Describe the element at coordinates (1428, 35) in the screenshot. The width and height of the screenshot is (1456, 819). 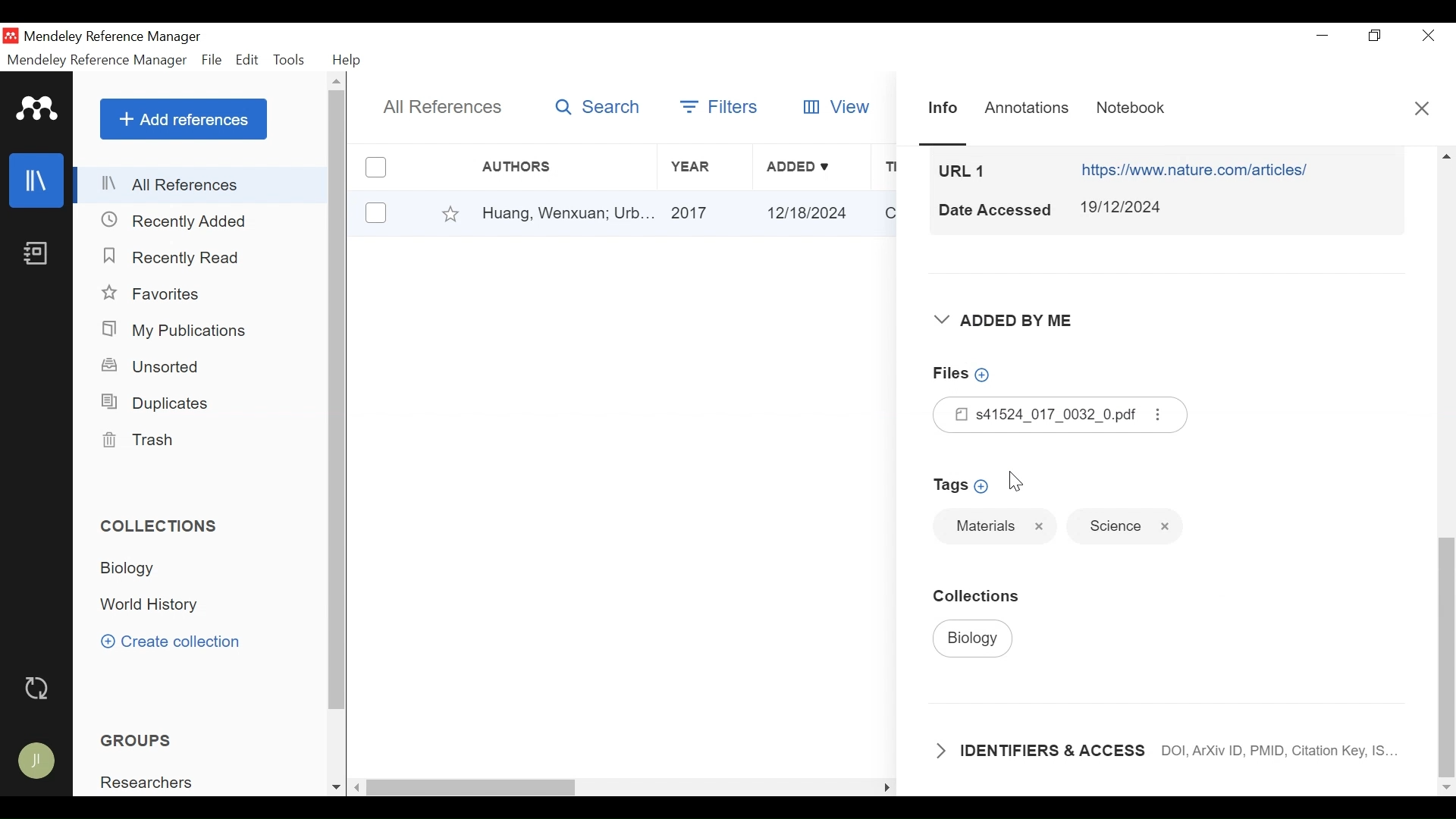
I see `Close` at that location.